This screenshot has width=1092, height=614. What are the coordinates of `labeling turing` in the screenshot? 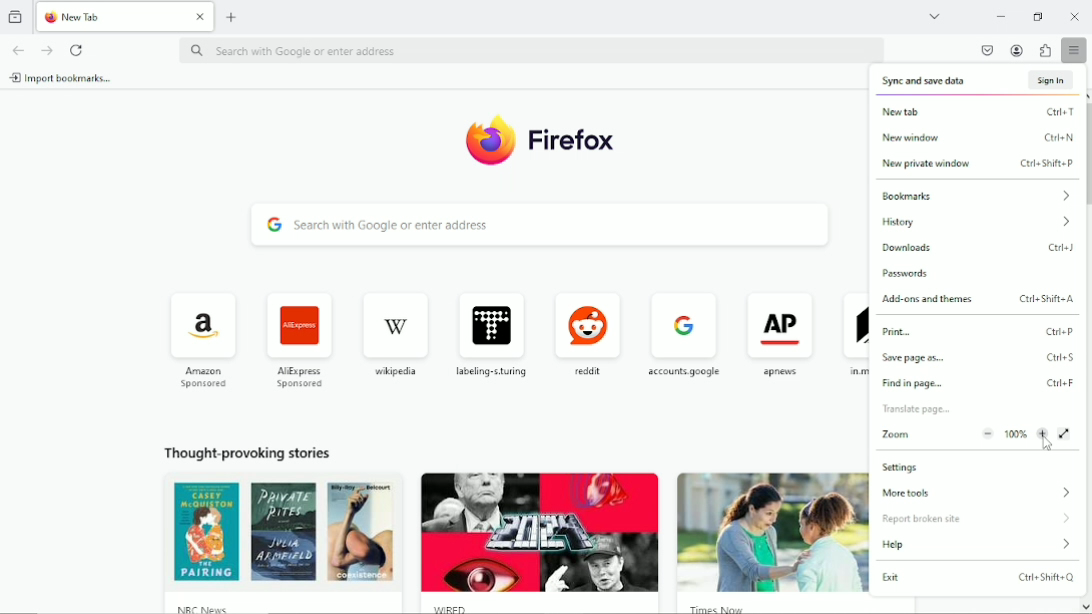 It's located at (494, 330).